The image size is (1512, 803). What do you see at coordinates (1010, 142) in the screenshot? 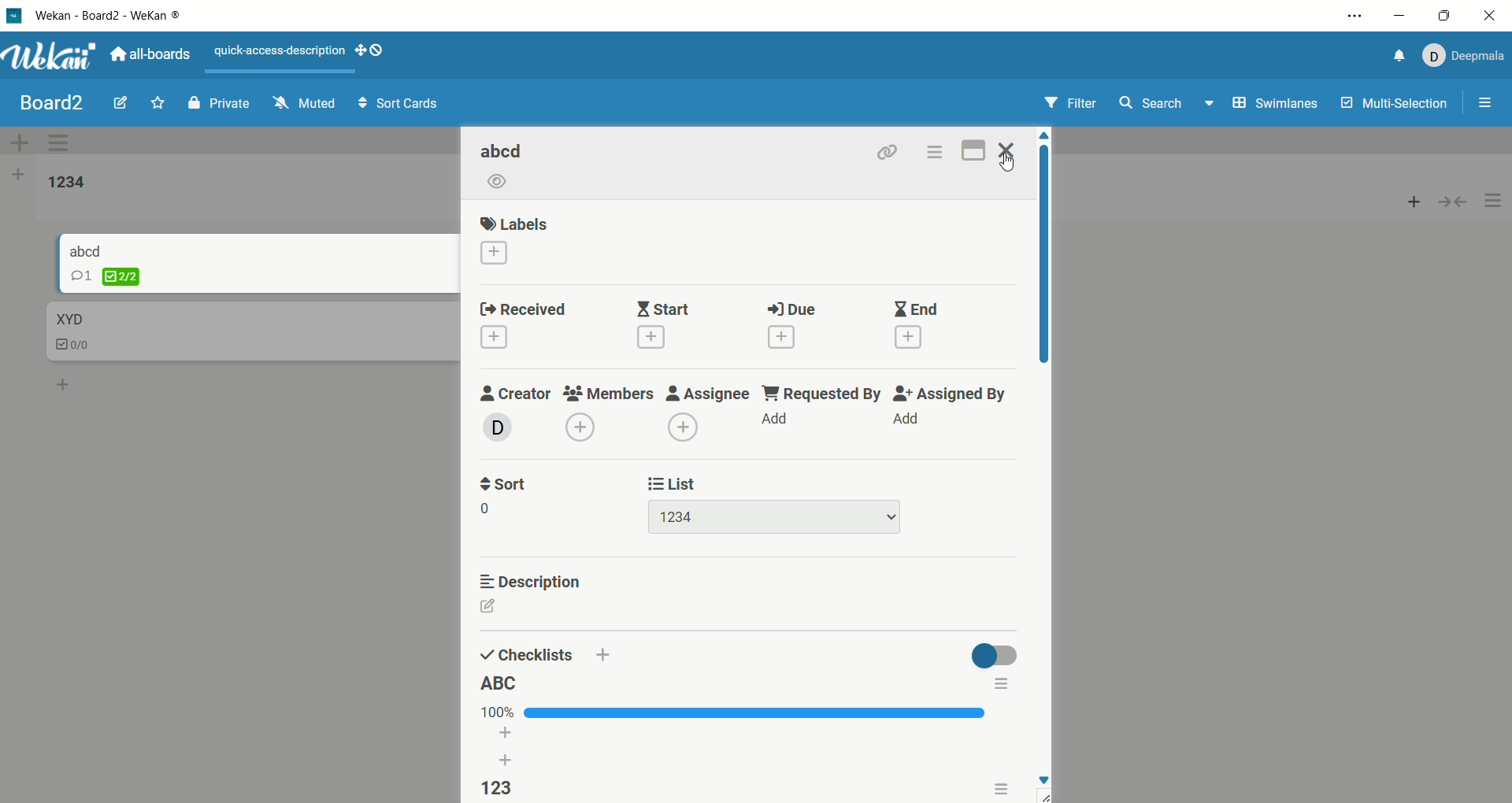
I see `close` at bounding box center [1010, 142].